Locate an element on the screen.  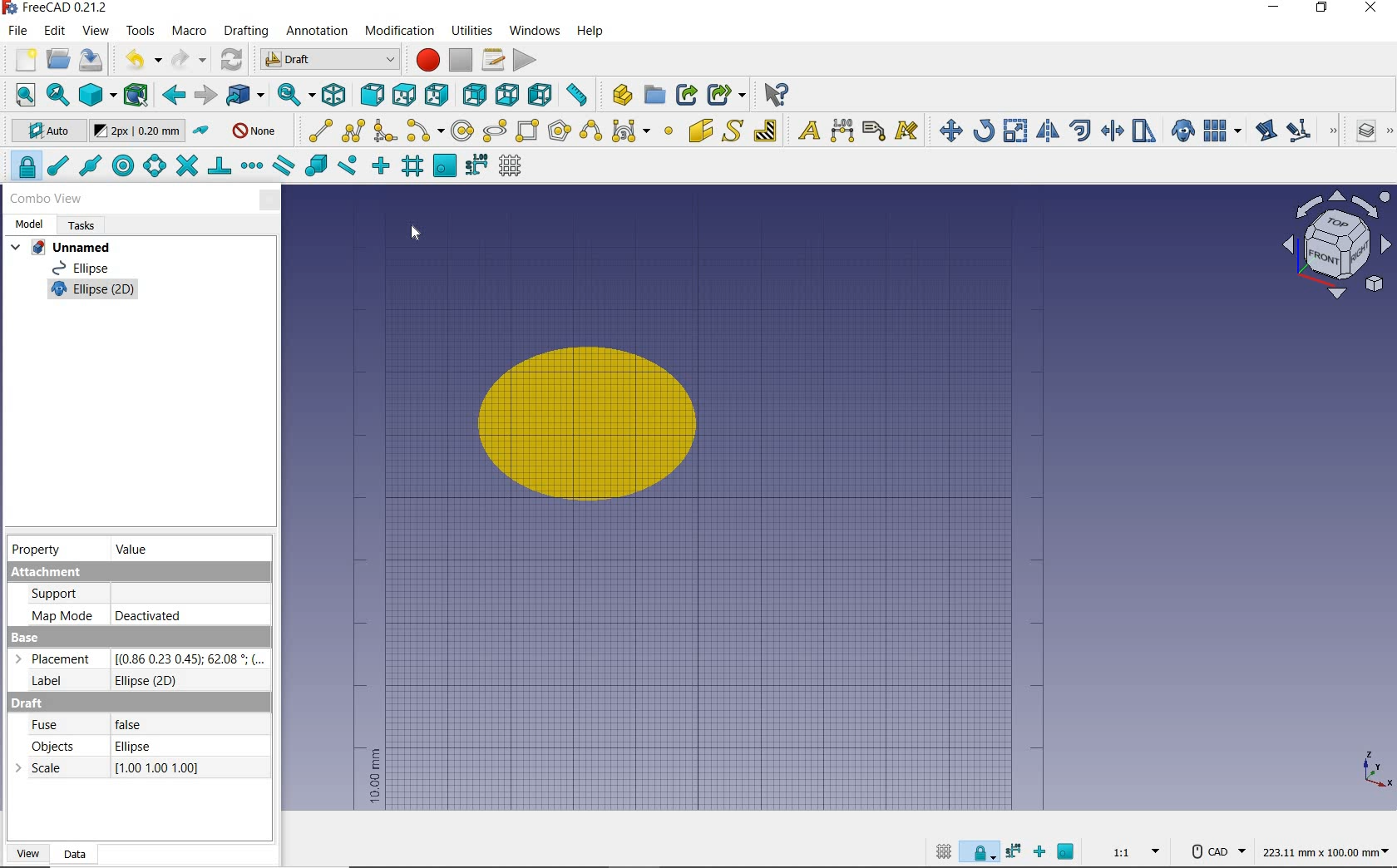
toggle construction mode is located at coordinates (201, 131).